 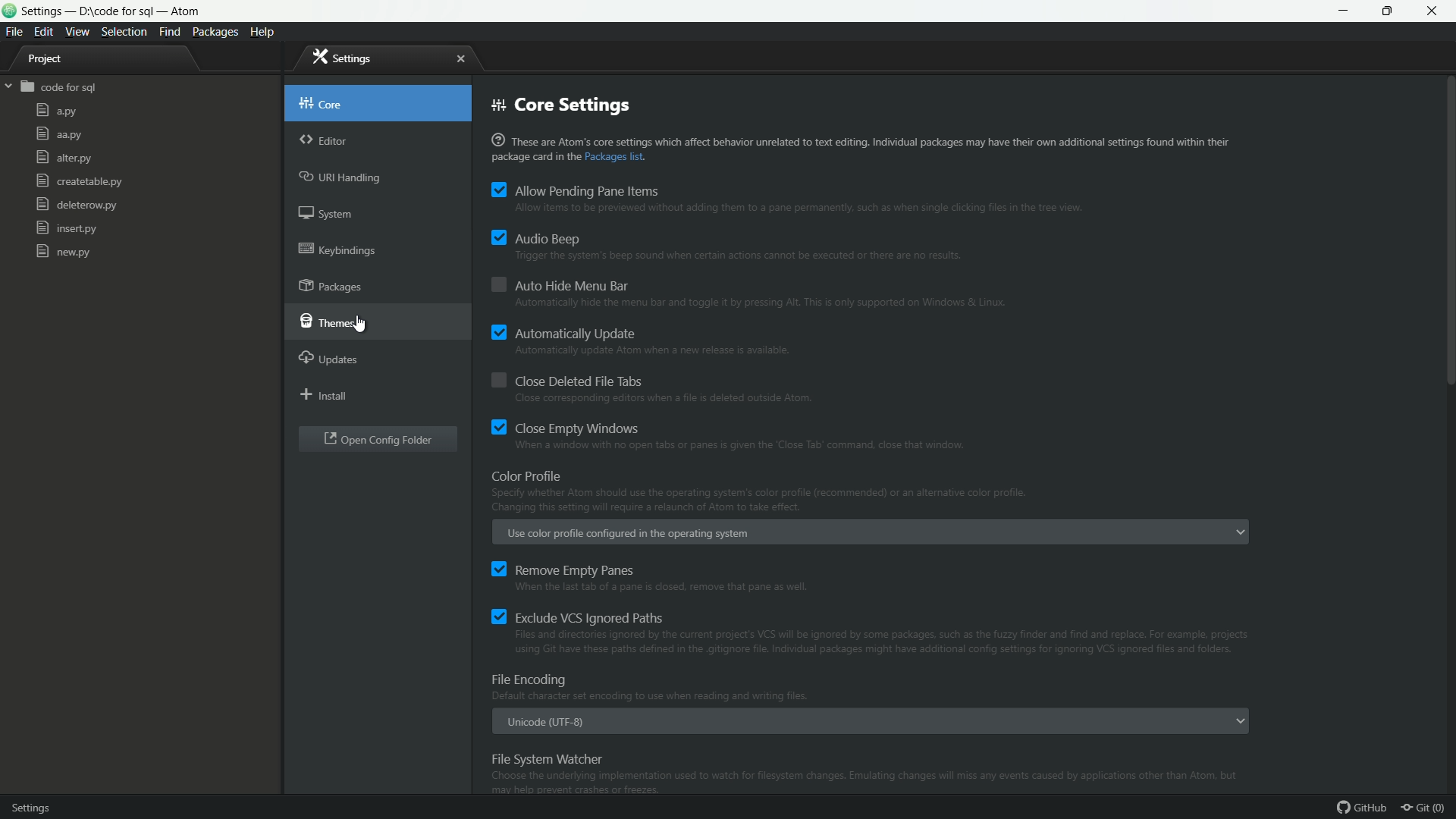 I want to click on git (0), so click(x=1427, y=808).